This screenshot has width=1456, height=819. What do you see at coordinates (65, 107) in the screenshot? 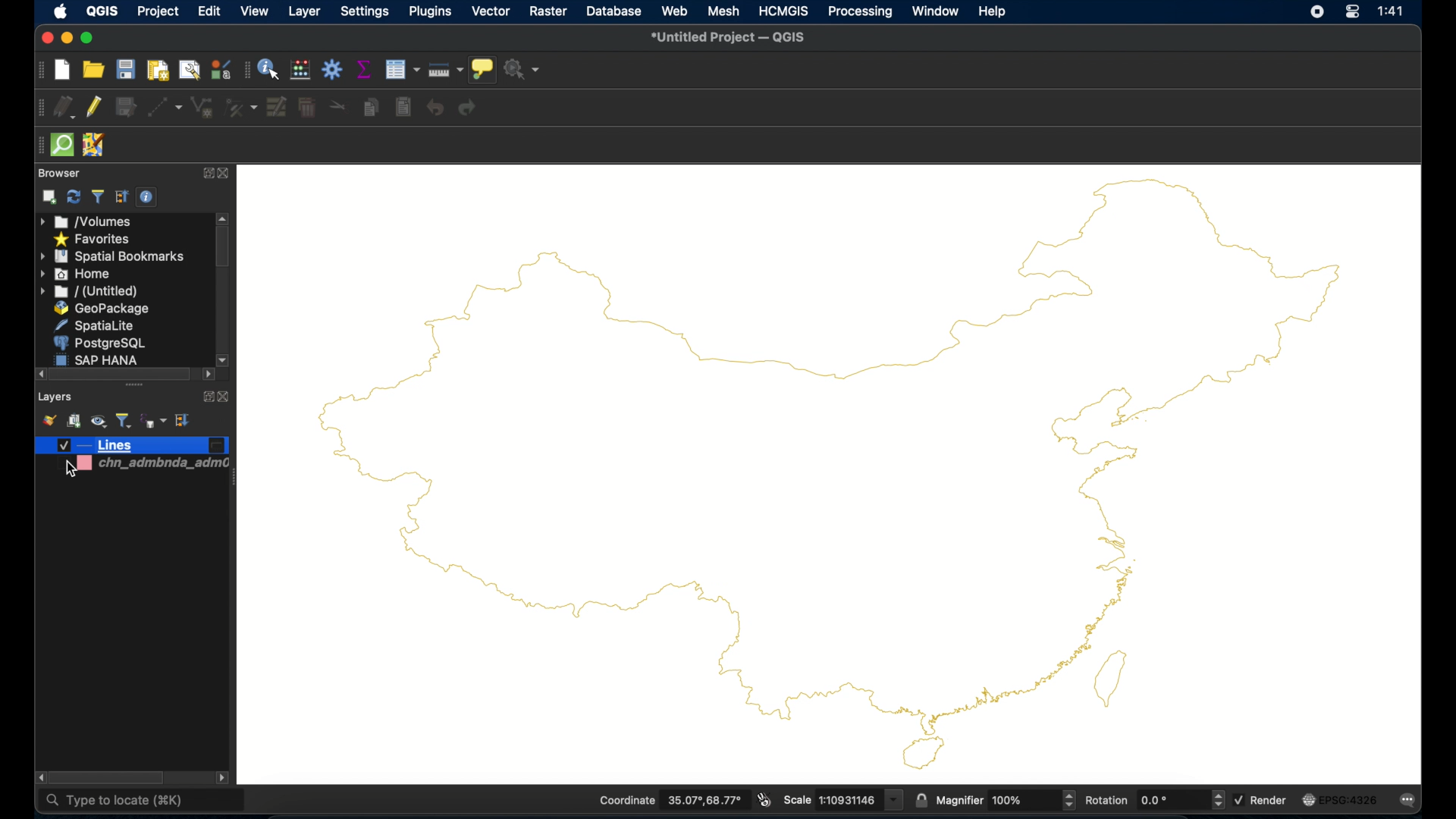
I see `current edits` at bounding box center [65, 107].